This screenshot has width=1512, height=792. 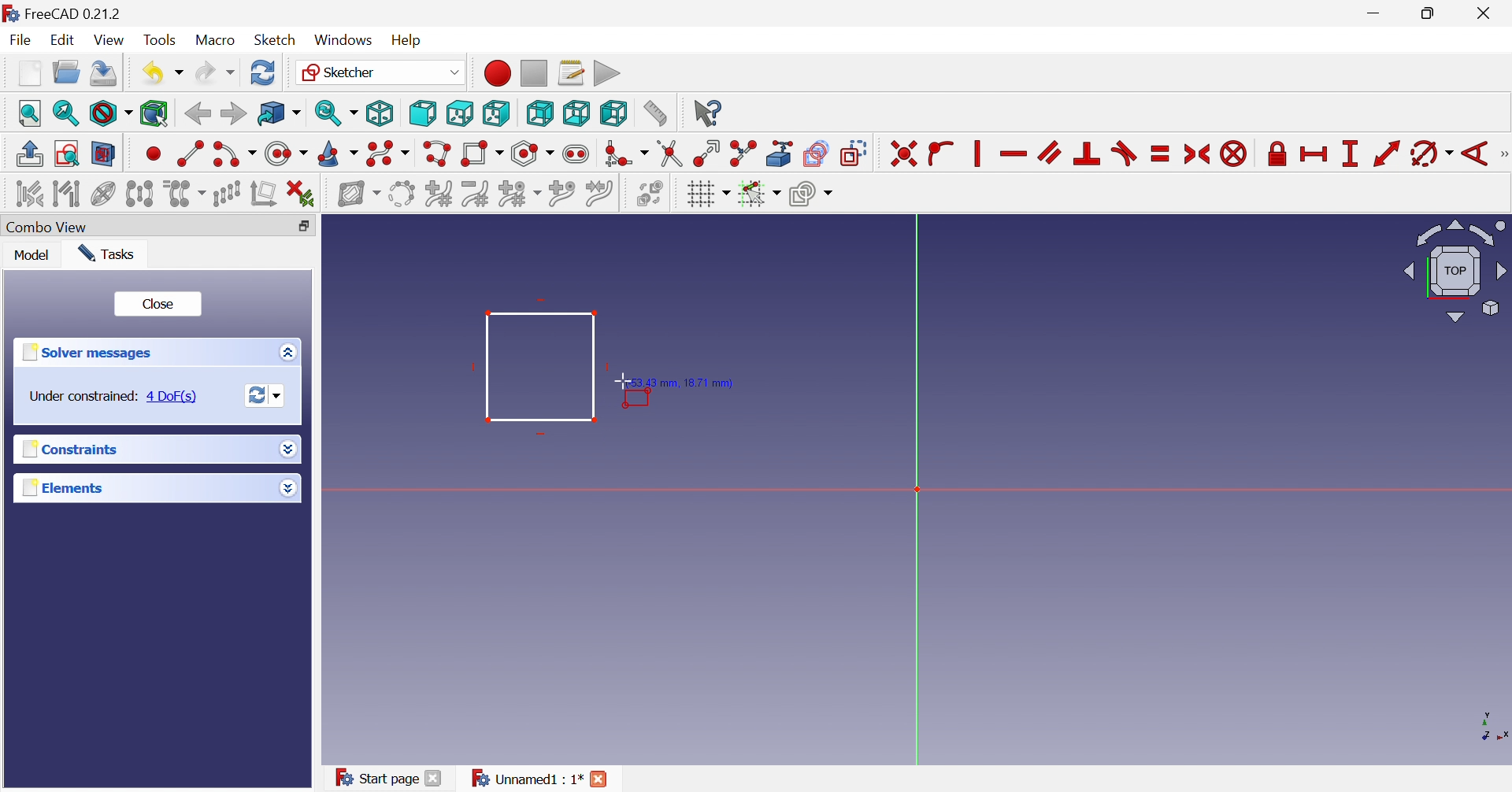 What do you see at coordinates (279, 114) in the screenshot?
I see `Go to linked object` at bounding box center [279, 114].